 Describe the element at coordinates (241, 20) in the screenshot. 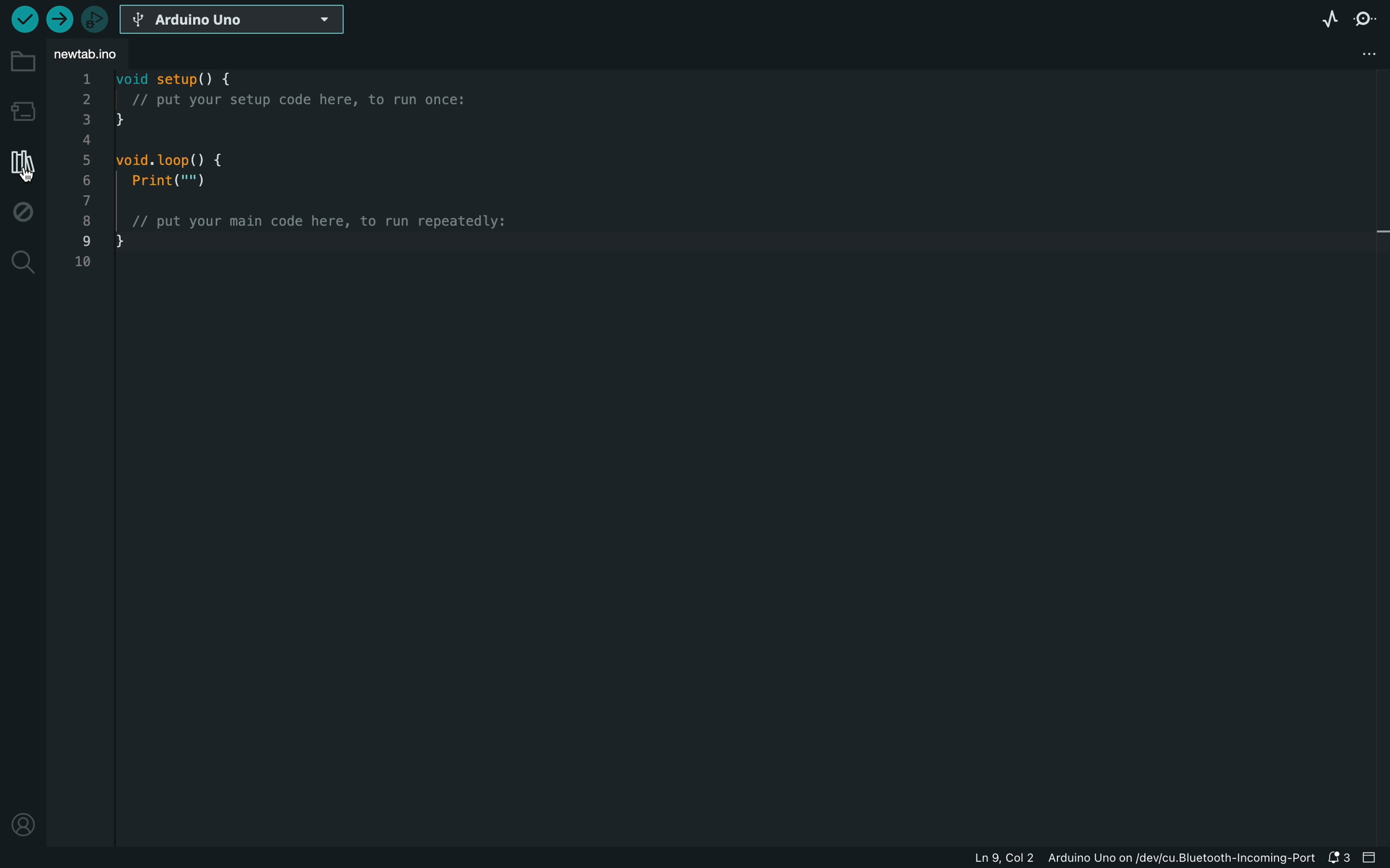

I see `board selecter` at that location.